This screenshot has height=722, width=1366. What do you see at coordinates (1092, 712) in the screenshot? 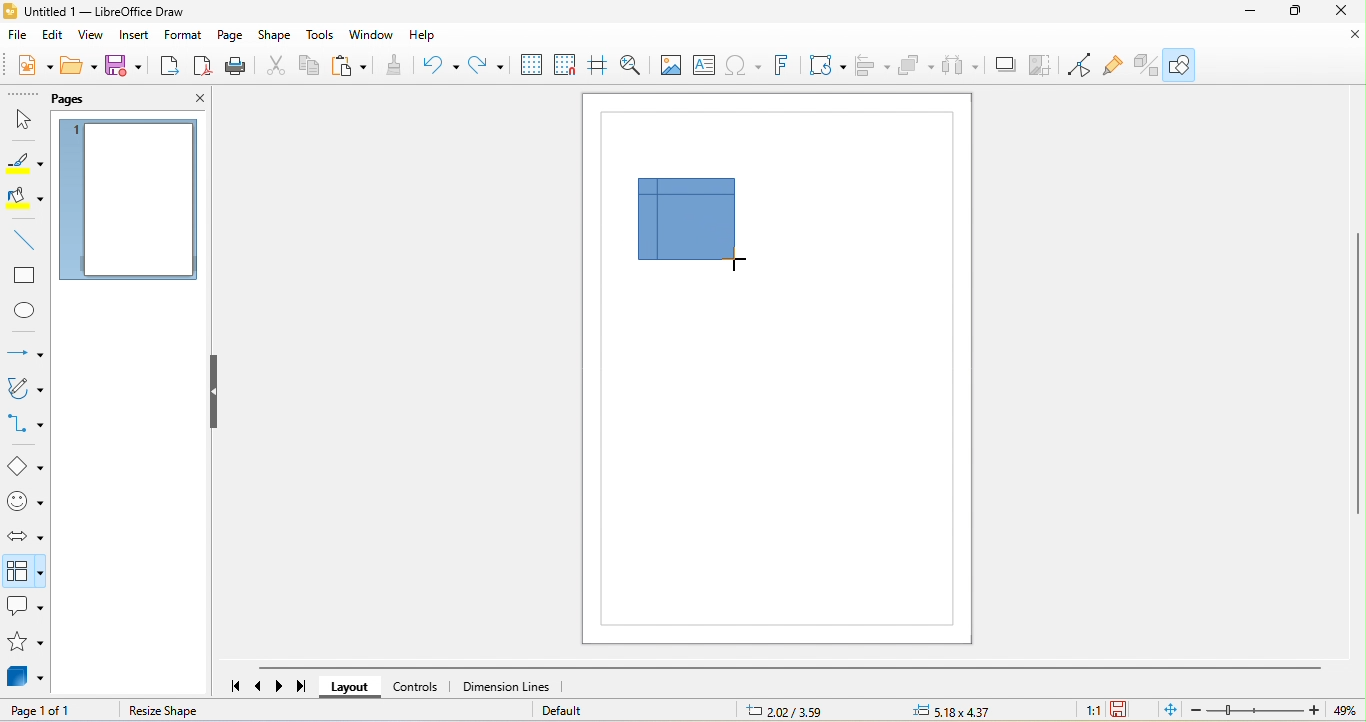
I see `1:1` at bounding box center [1092, 712].